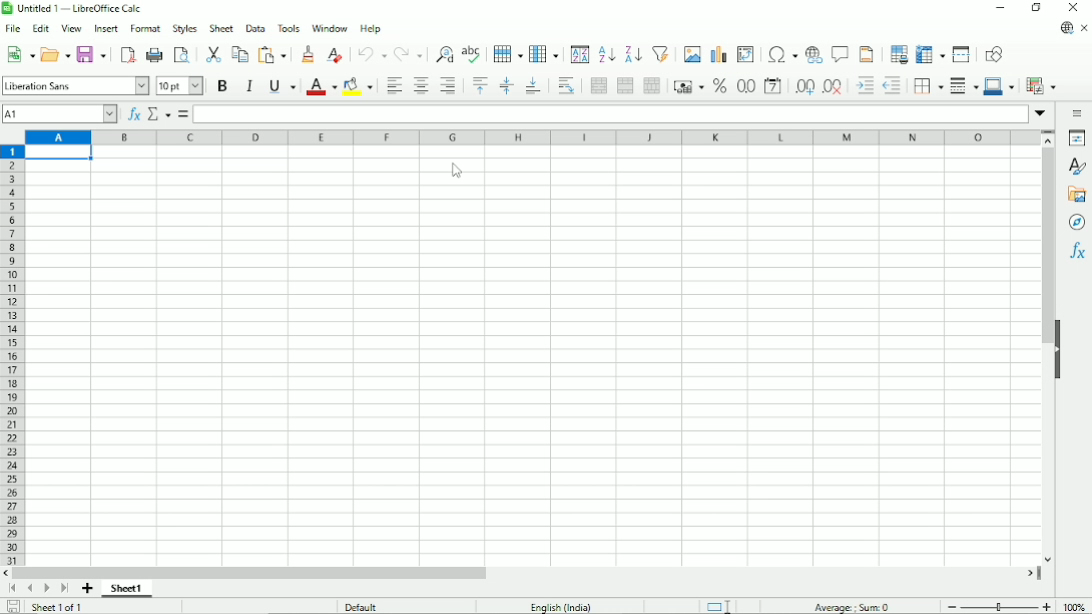  What do you see at coordinates (71, 29) in the screenshot?
I see `View` at bounding box center [71, 29].